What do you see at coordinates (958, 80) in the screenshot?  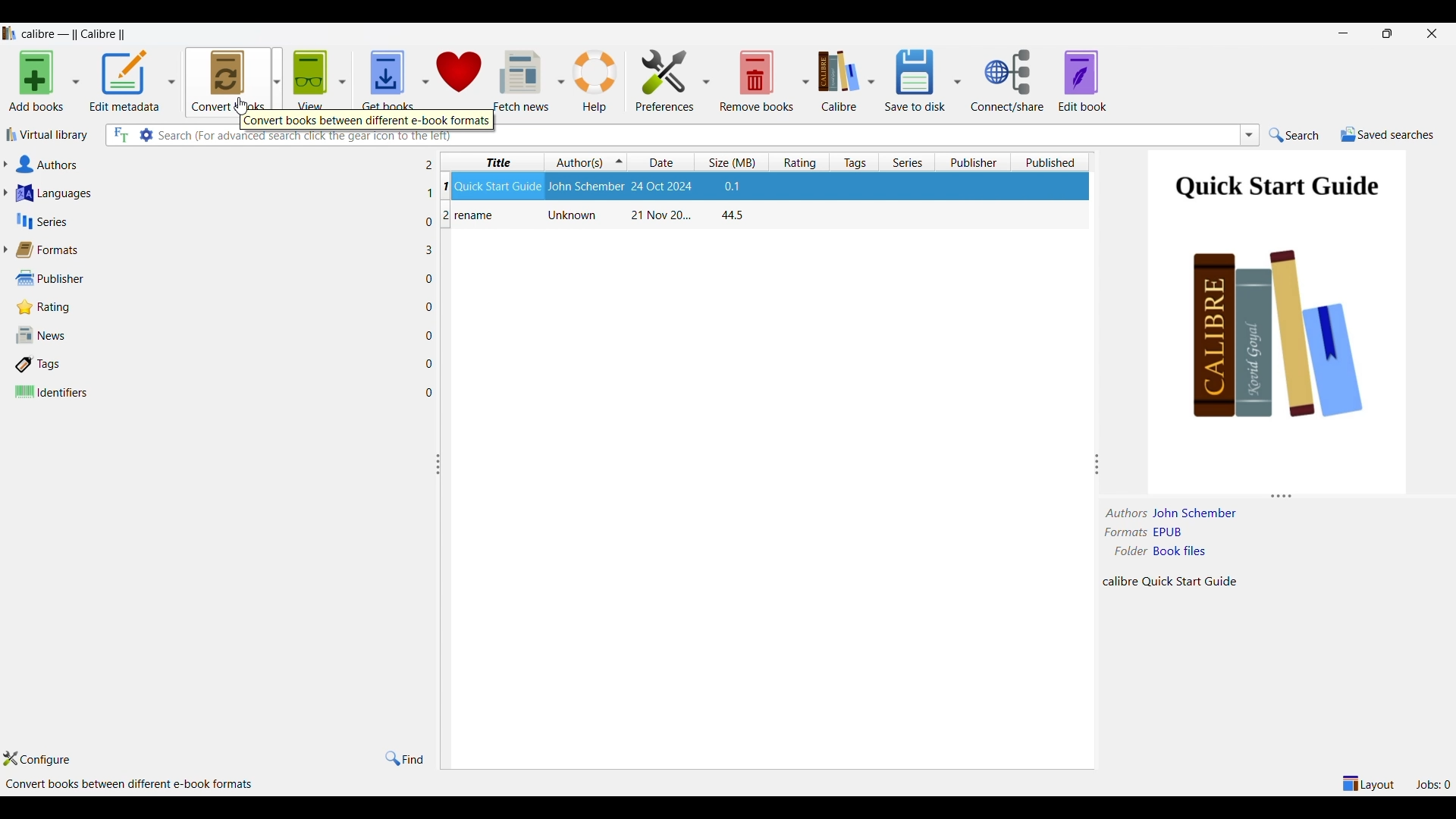 I see `Save options` at bounding box center [958, 80].